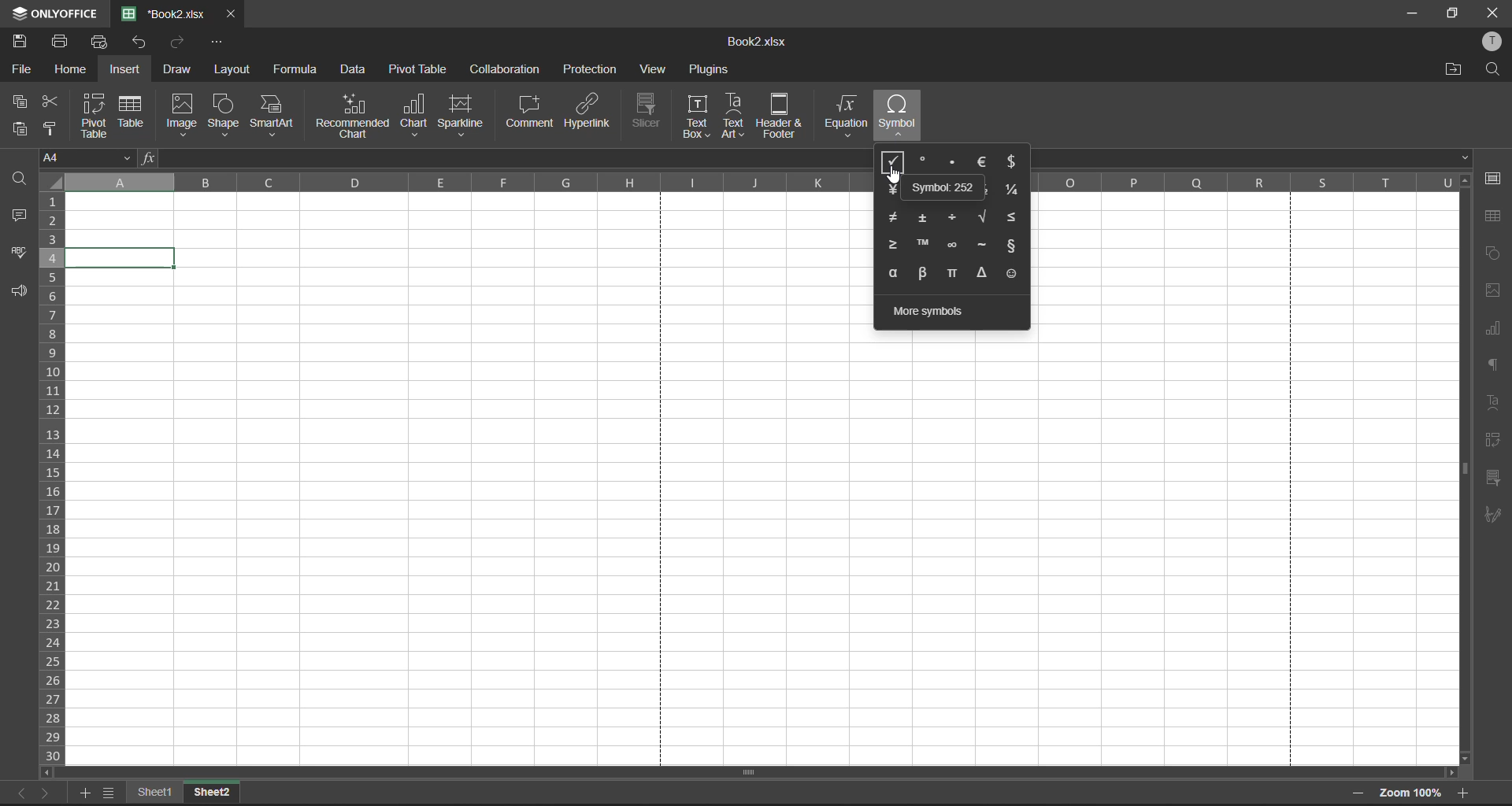 This screenshot has height=806, width=1512. Describe the element at coordinates (531, 112) in the screenshot. I see `comment` at that location.